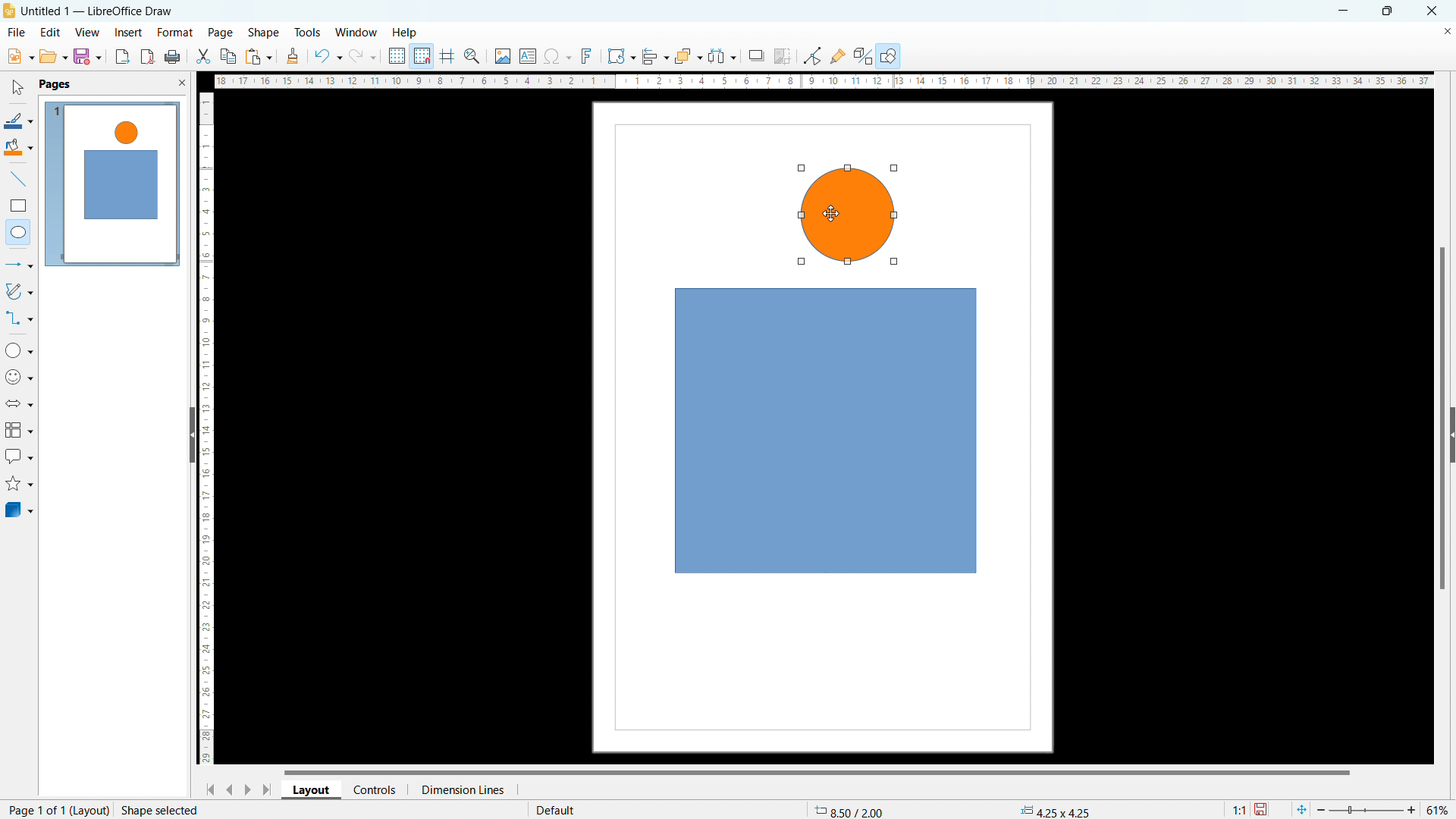  Describe the element at coordinates (554, 809) in the screenshot. I see `default` at that location.